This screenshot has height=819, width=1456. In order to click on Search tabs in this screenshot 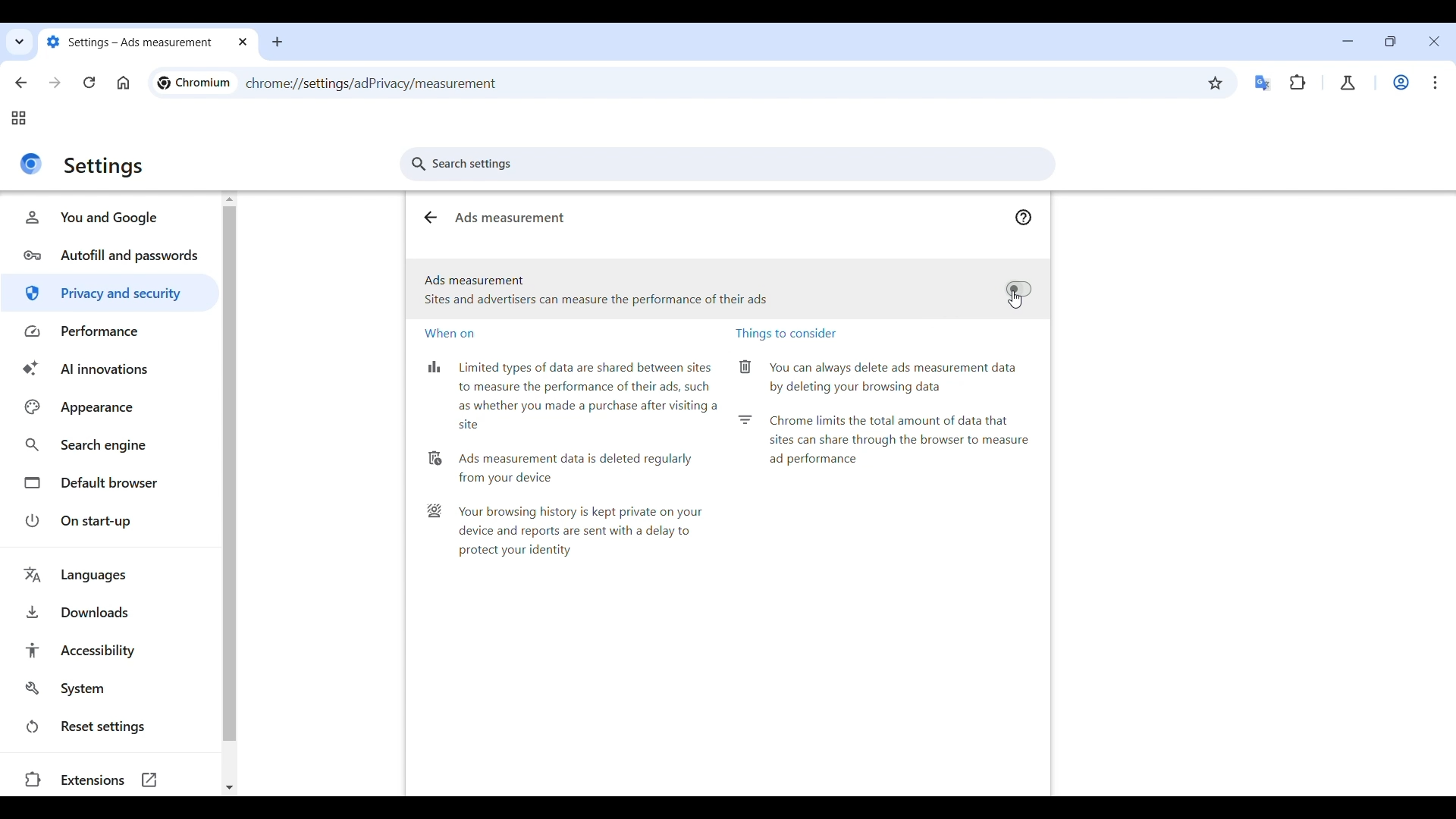, I will do `click(20, 42)`.